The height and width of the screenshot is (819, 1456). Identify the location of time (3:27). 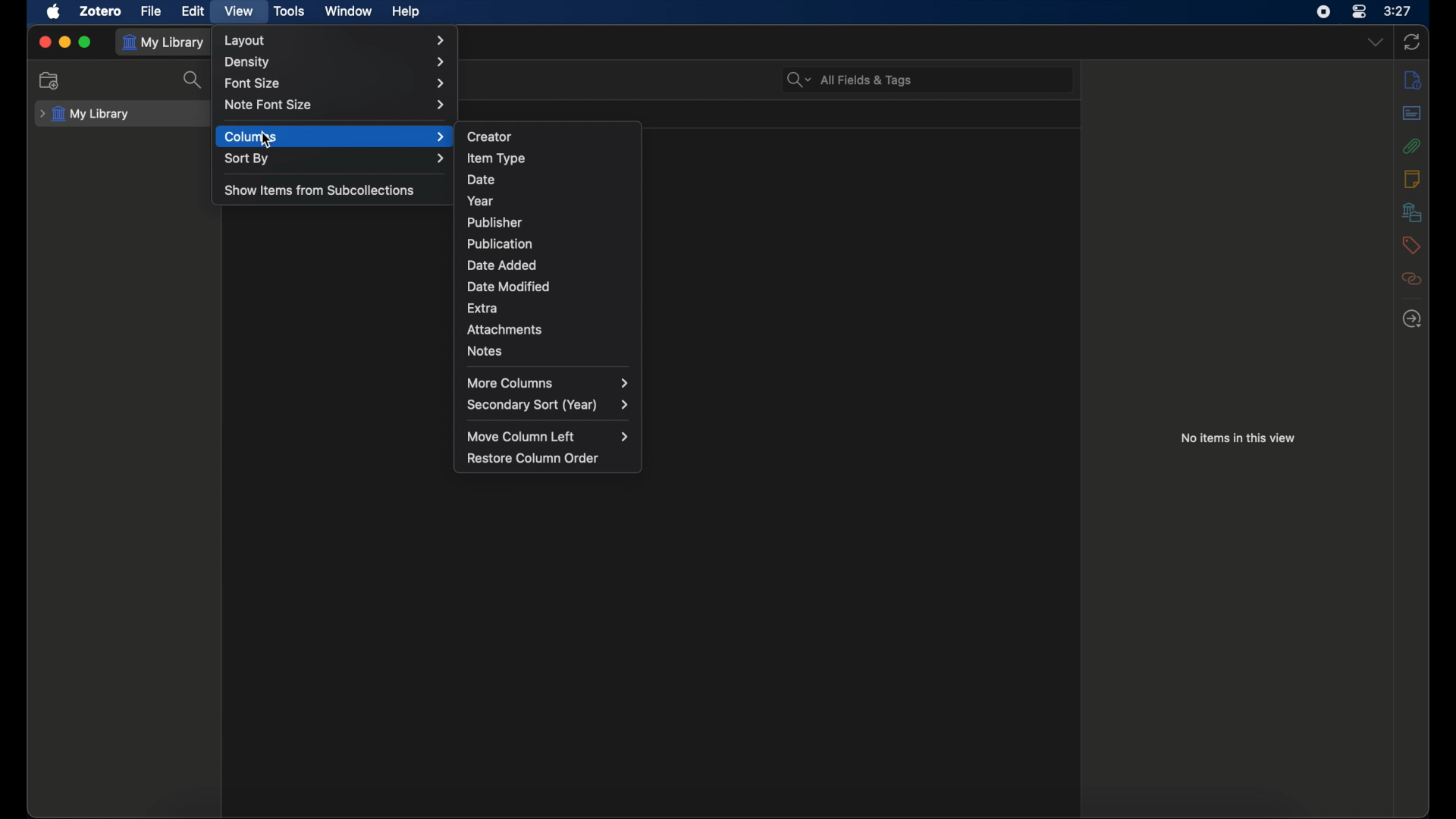
(1398, 10).